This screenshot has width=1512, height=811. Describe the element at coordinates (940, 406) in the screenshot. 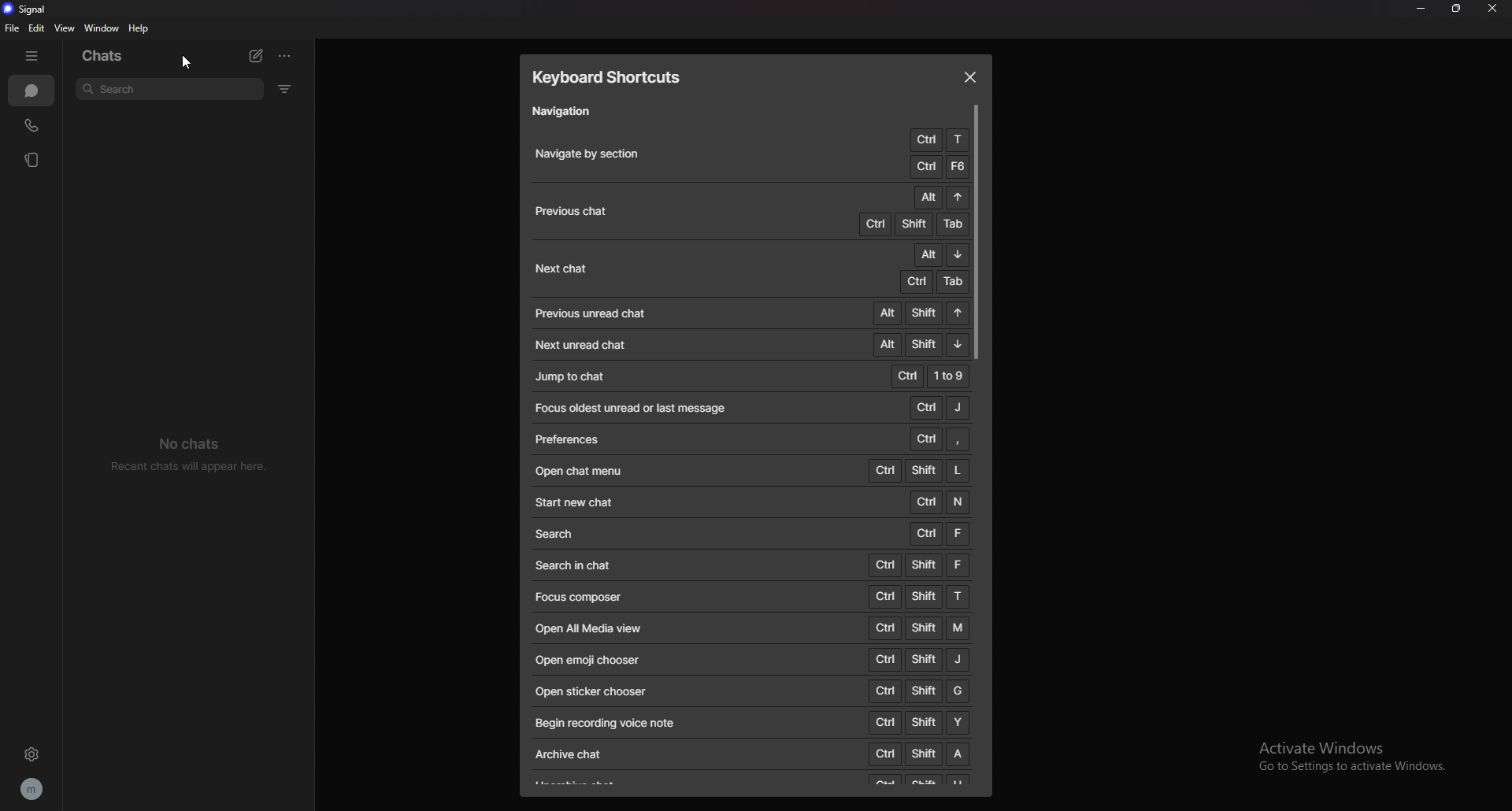

I see `CTRL + J` at that location.